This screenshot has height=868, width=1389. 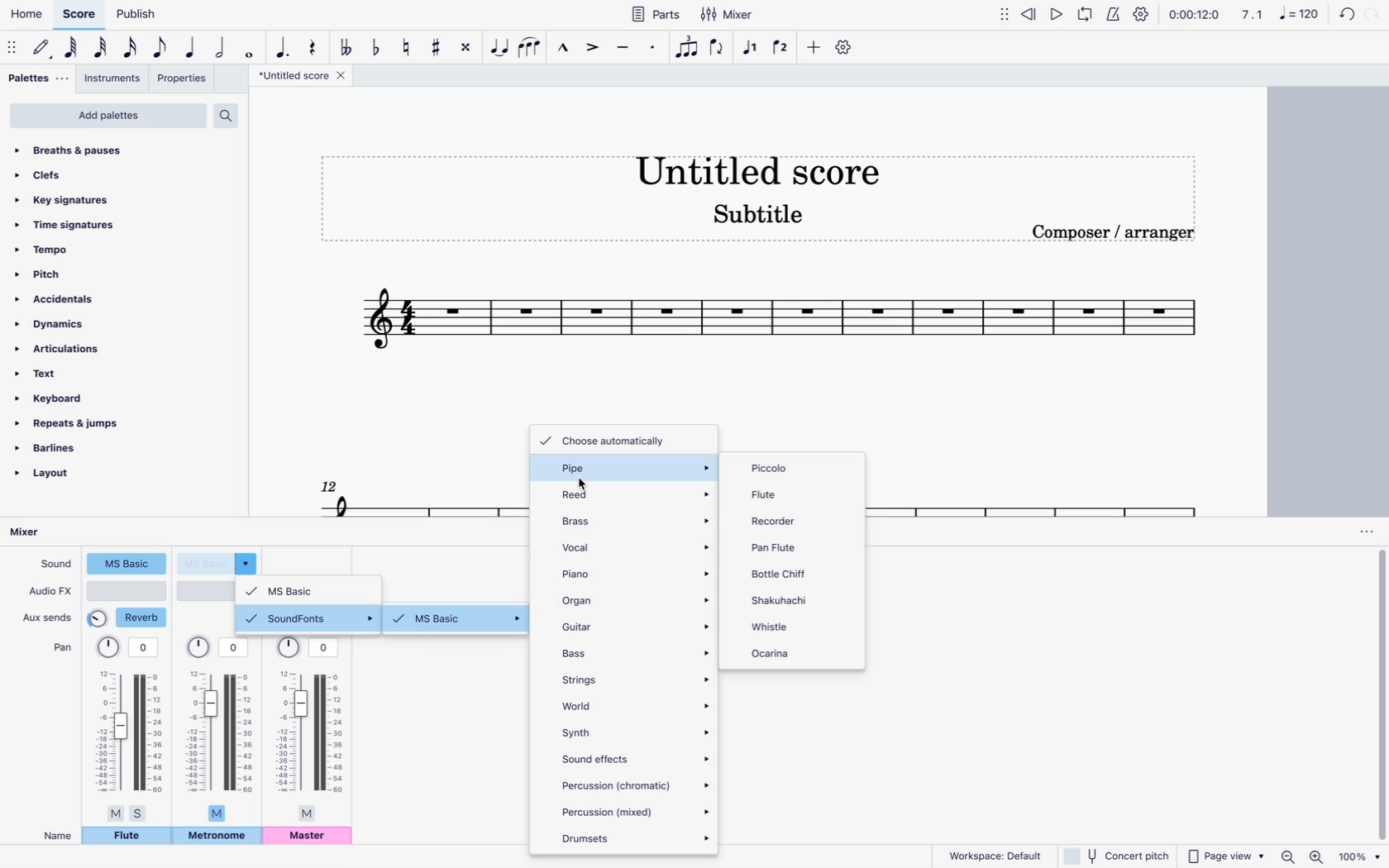 I want to click on search, so click(x=232, y=112).